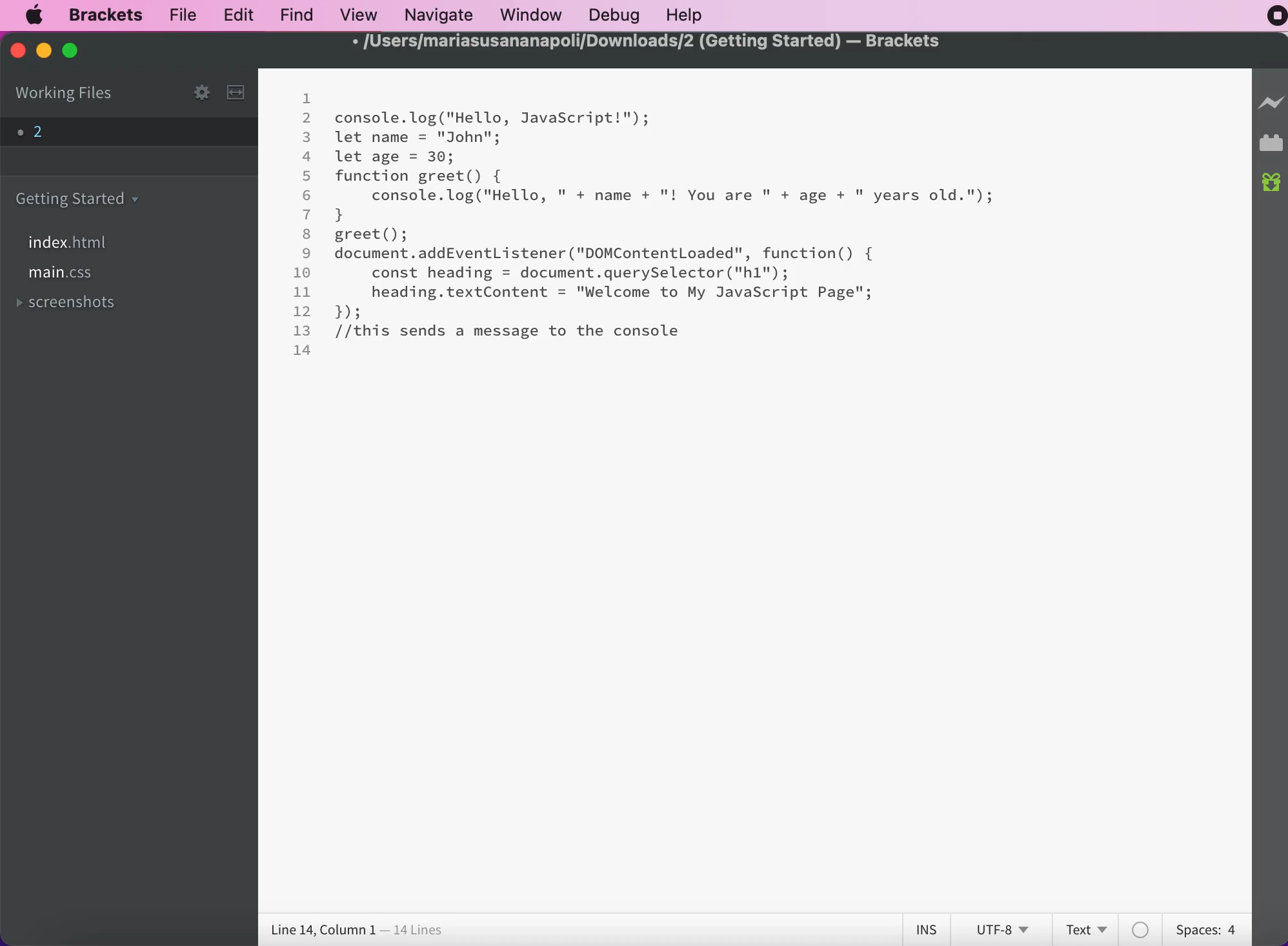  What do you see at coordinates (667, 212) in the screenshot?
I see `console. log("Hello, JavaScript!");let name = "John";let age = 30;function greet() {console.log("Hello, " + name + "! You are " + age + " years old.");}greet();document.addEventListener ("DOMContentLoaded", function() {const heading = document.querySelector("h1");heading.textContent = "Welcome to My JavaScript Page"; });` at bounding box center [667, 212].